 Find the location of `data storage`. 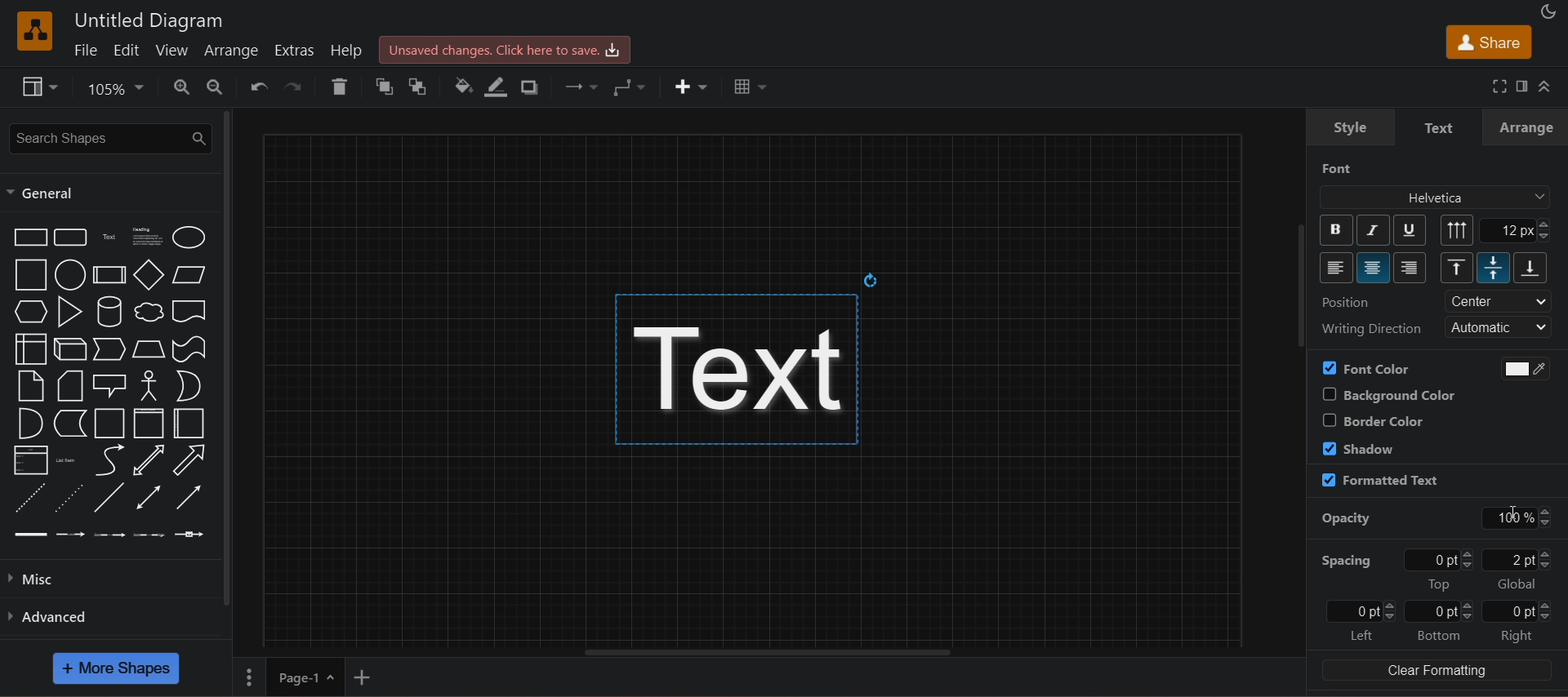

data storage is located at coordinates (71, 423).